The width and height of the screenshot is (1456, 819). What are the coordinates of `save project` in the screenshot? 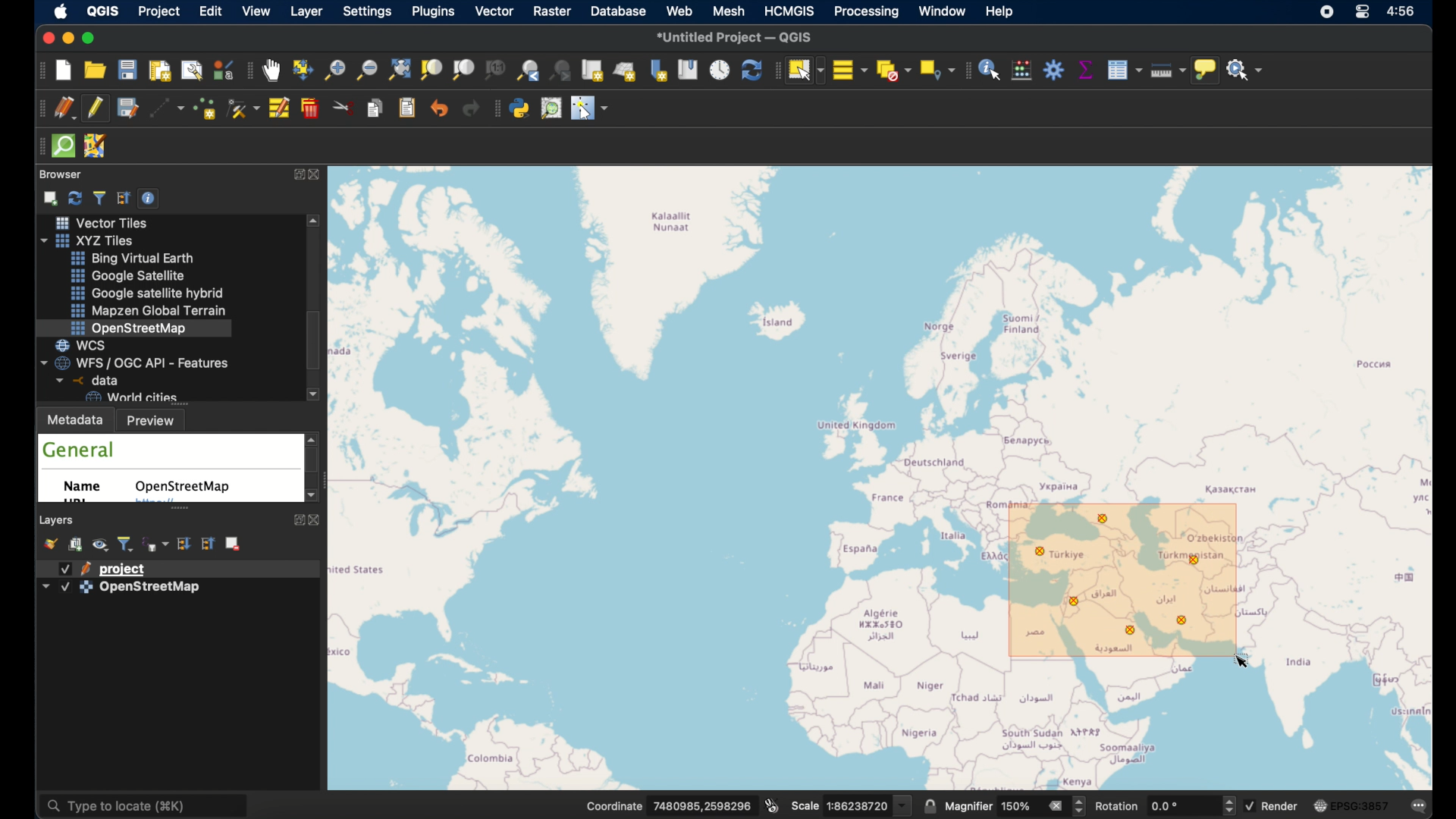 It's located at (128, 70).